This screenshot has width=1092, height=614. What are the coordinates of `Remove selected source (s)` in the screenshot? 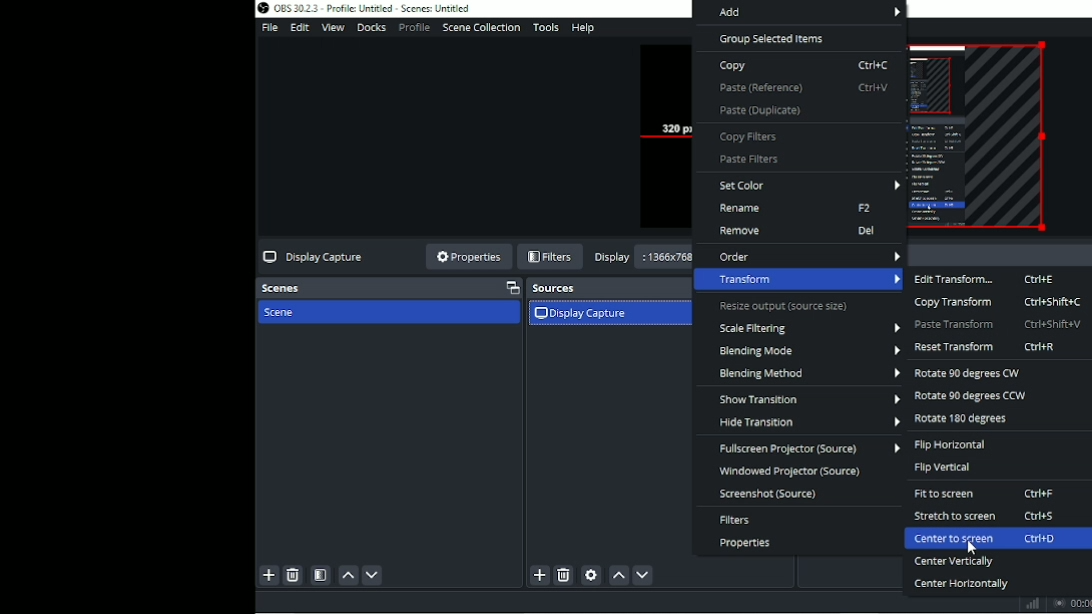 It's located at (563, 575).